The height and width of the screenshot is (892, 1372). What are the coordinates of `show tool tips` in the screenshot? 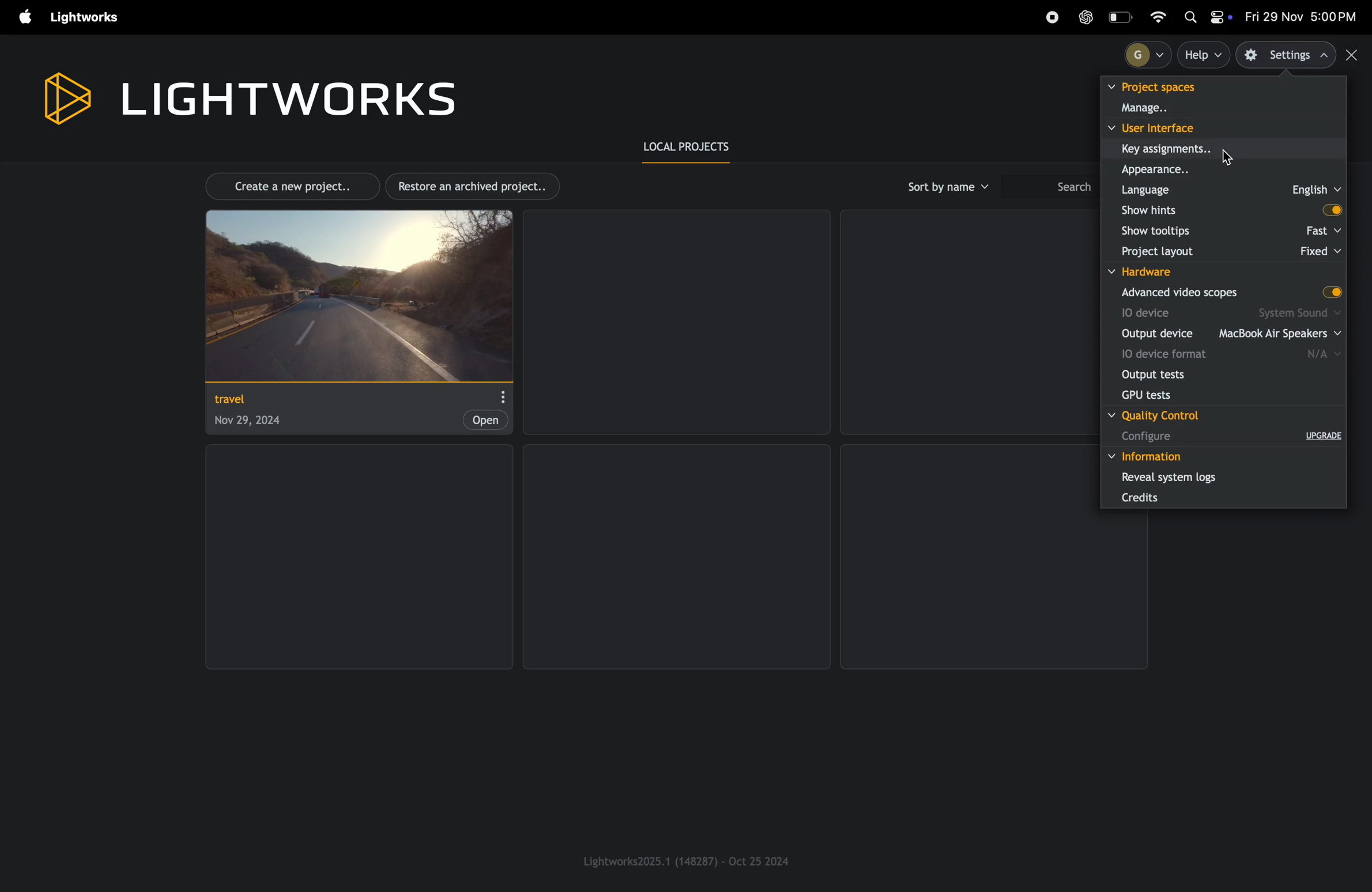 It's located at (1170, 233).